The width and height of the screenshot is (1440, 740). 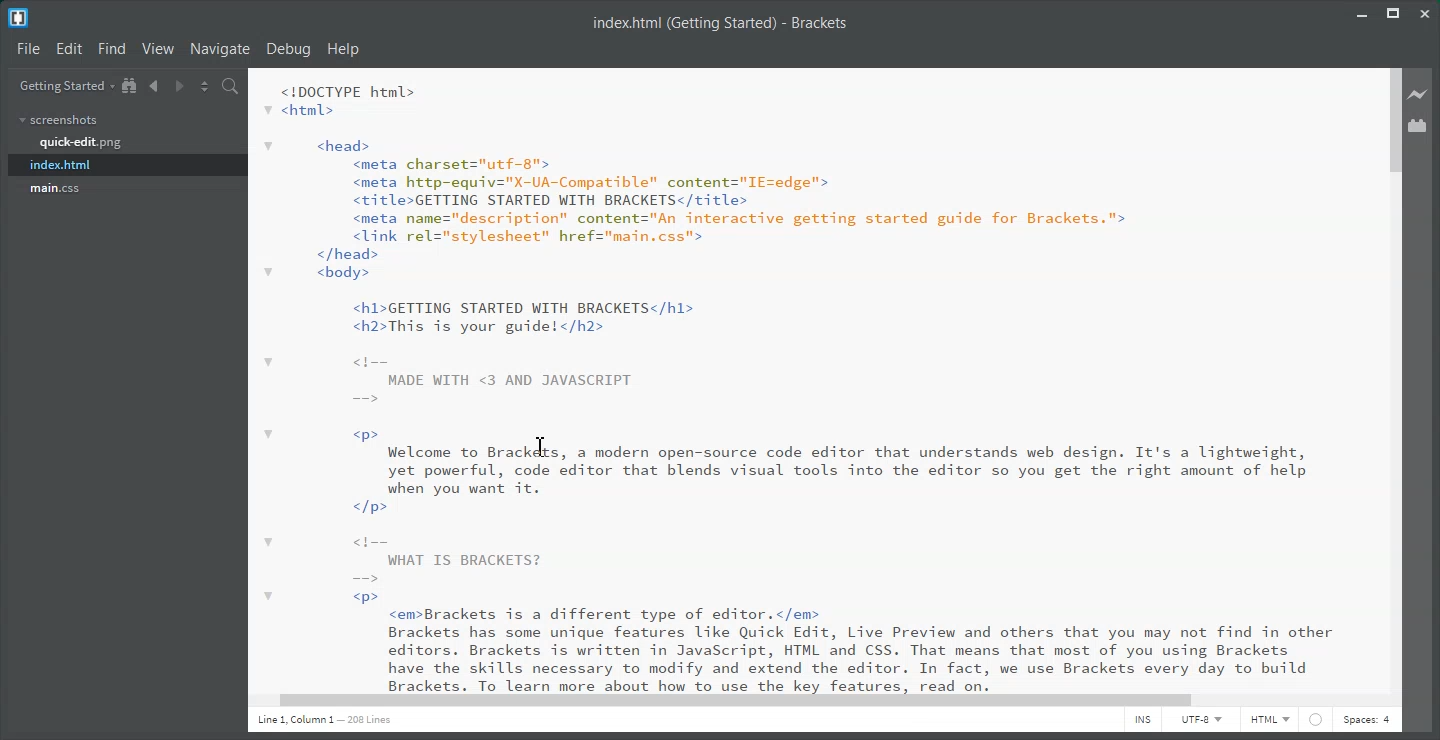 I want to click on Help, so click(x=343, y=49).